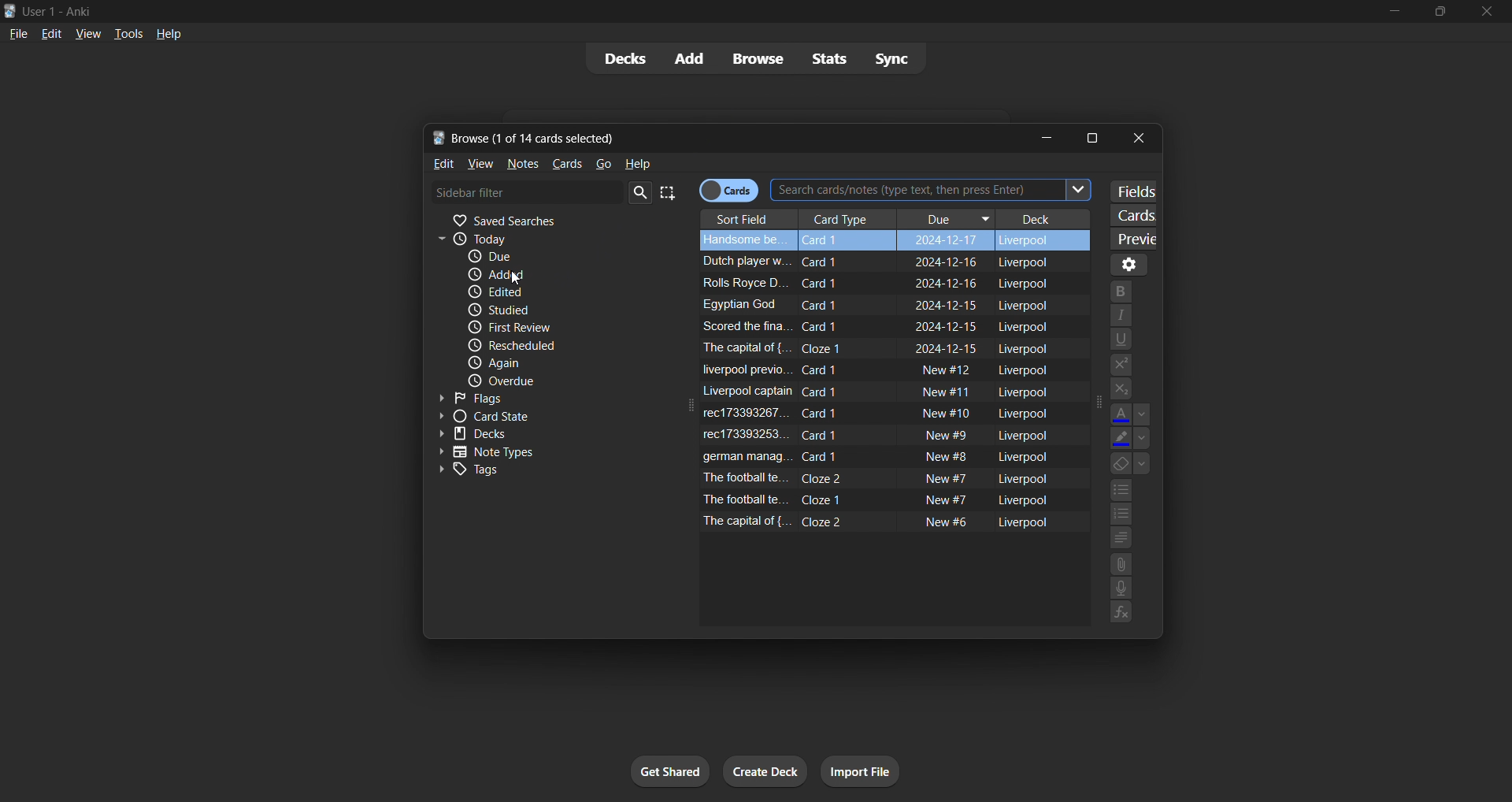 The image size is (1512, 802). Describe the element at coordinates (857, 774) in the screenshot. I see `import file` at that location.